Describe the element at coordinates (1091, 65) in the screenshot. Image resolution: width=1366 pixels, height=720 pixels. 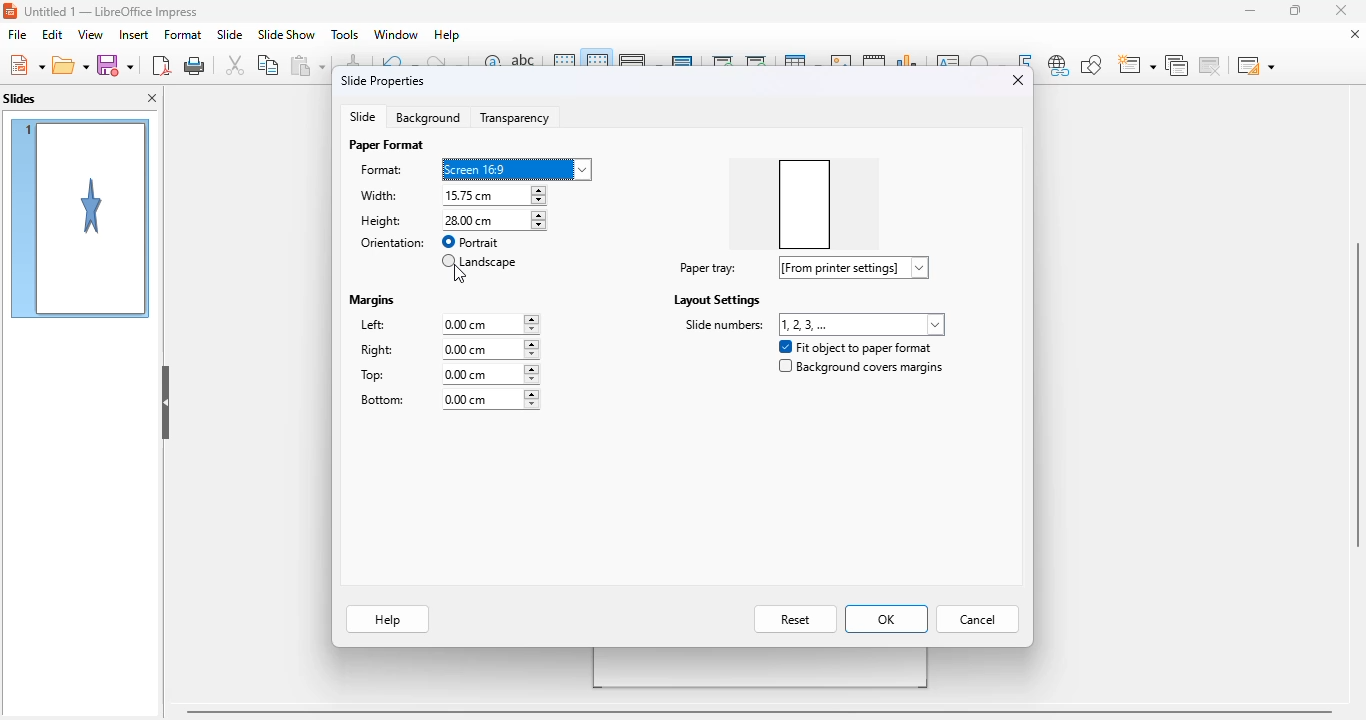
I see `show draw functions` at that location.